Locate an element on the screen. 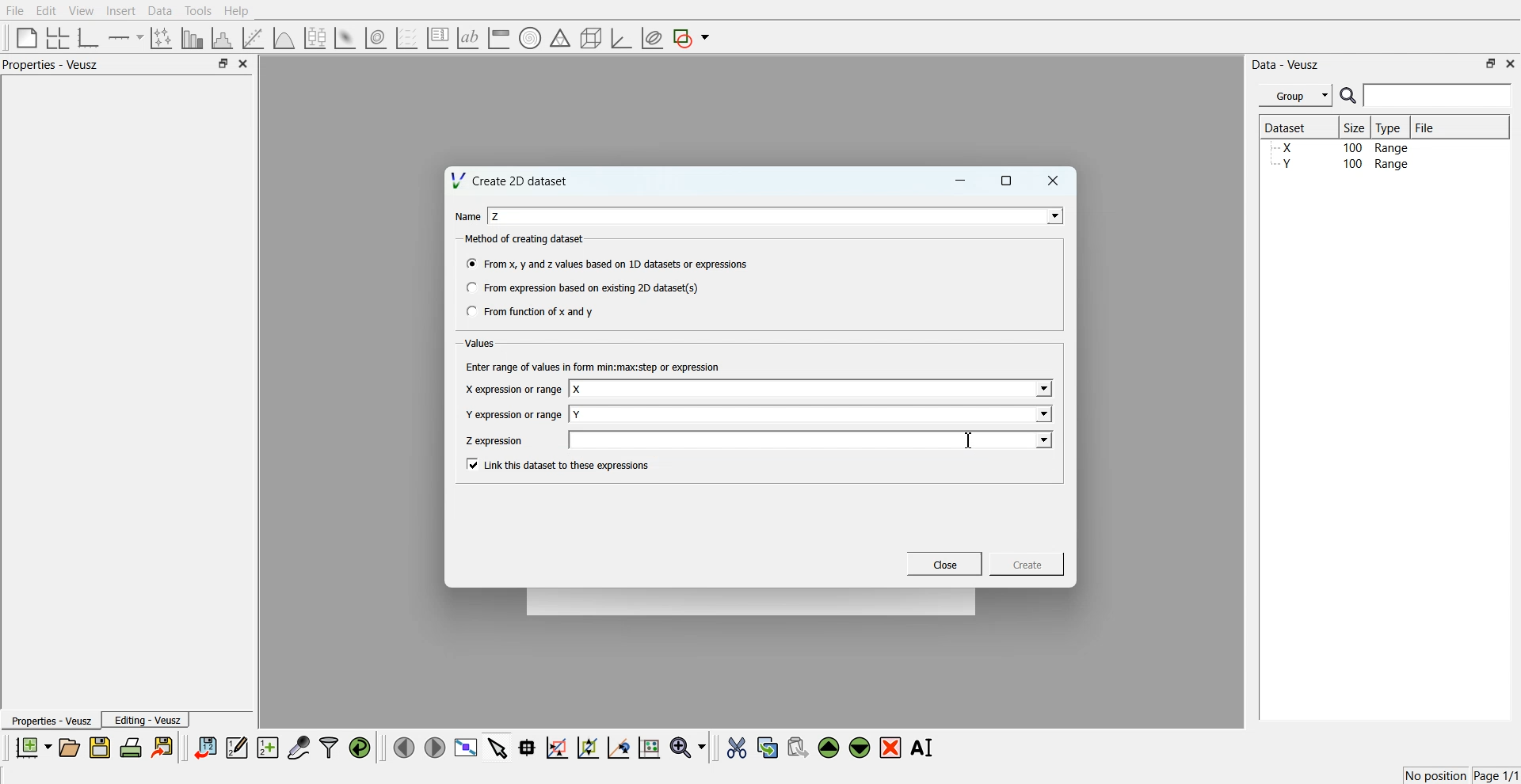  Zoom function menu is located at coordinates (690, 747).